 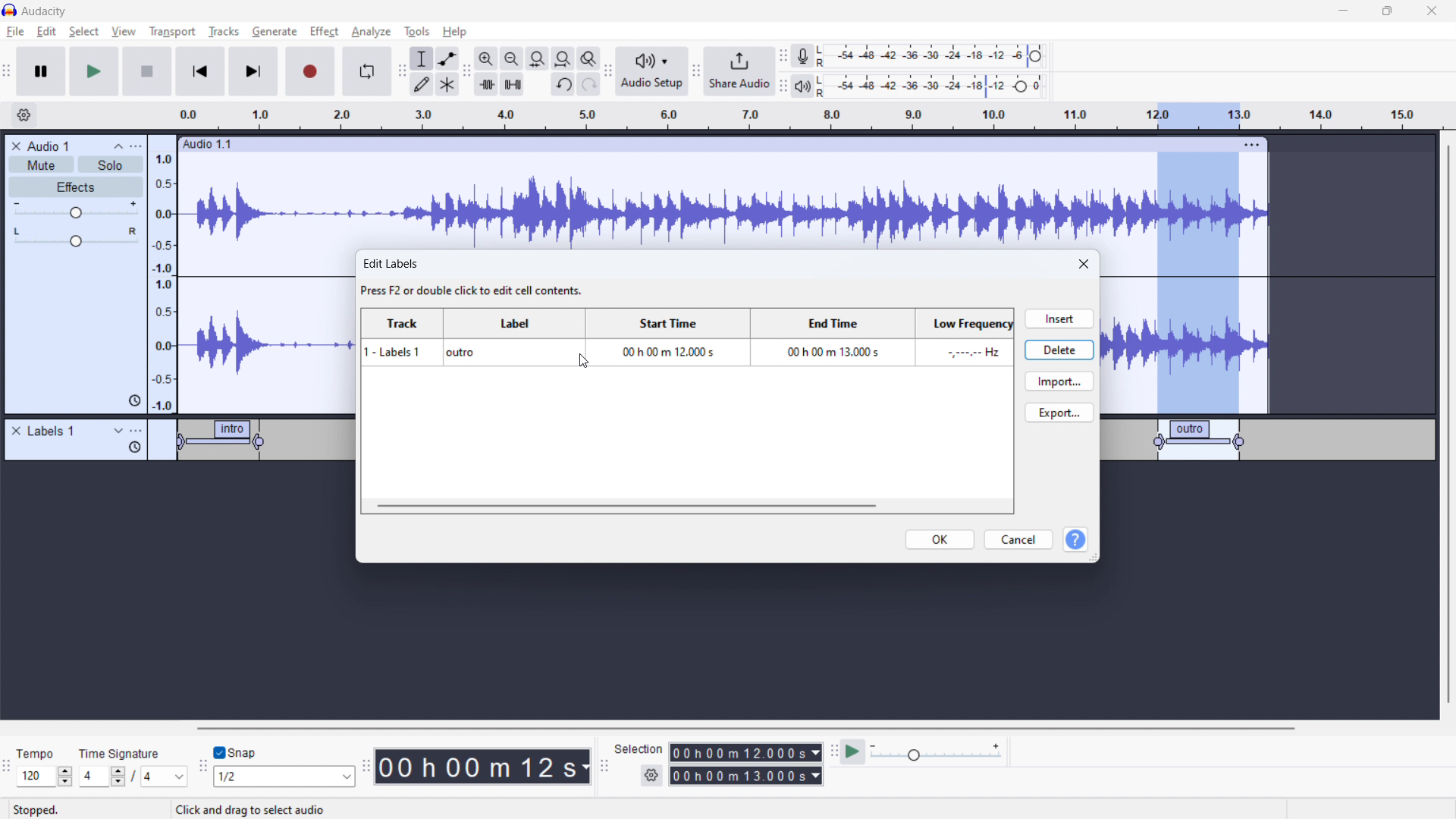 I want to click on multi tool, so click(x=448, y=84).